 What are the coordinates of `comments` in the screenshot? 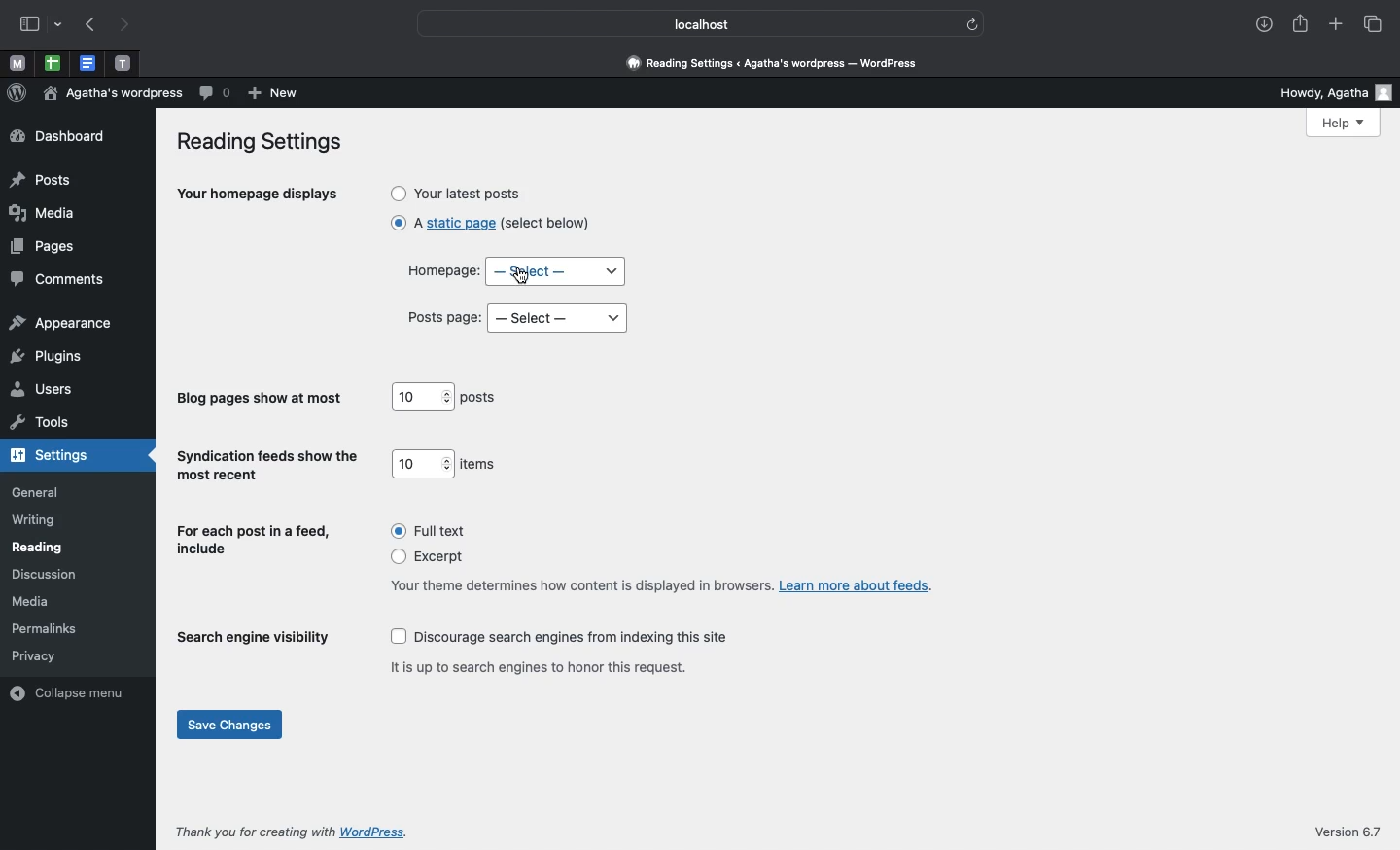 It's located at (57, 280).